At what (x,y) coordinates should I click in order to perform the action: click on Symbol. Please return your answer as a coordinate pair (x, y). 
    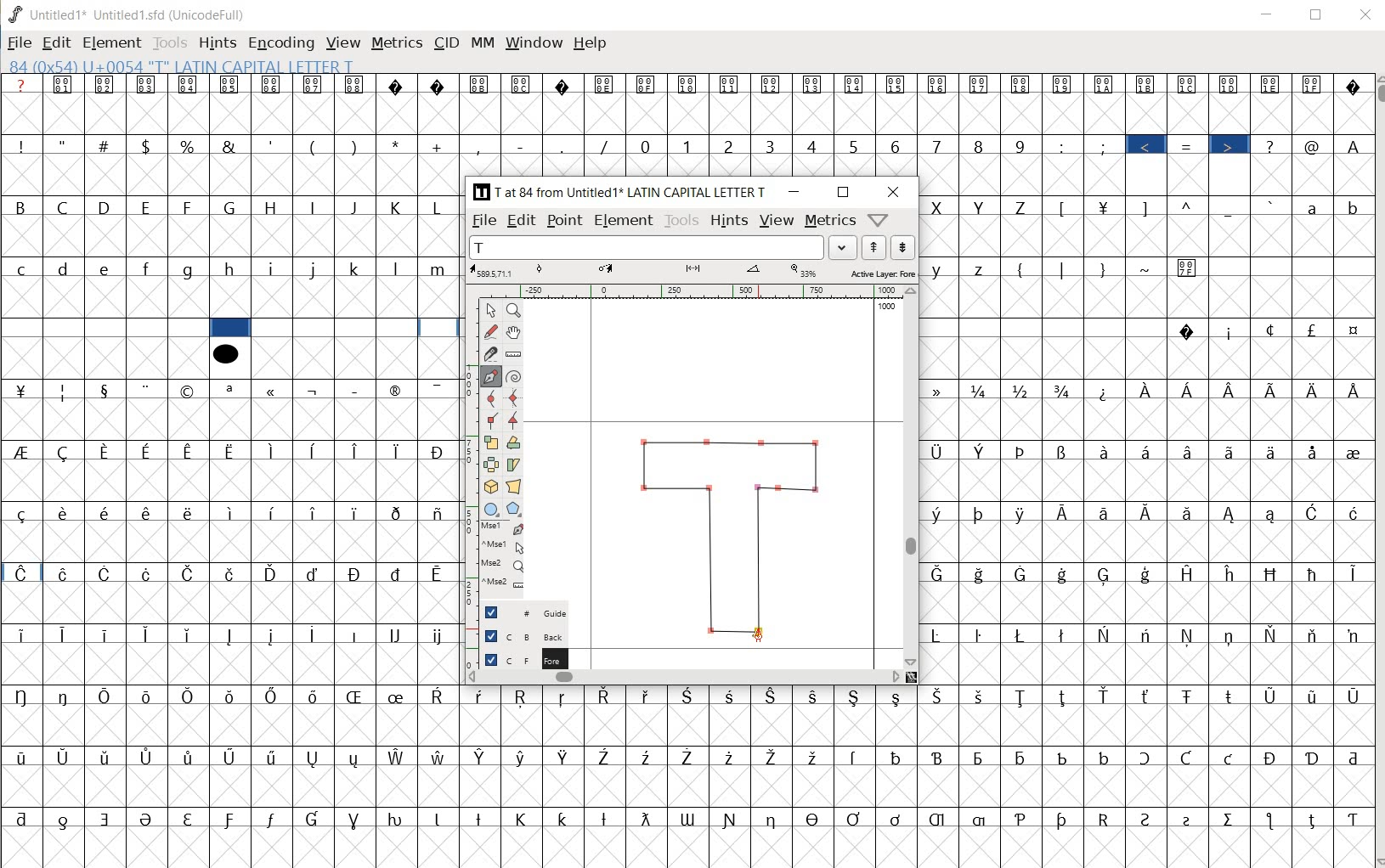
    Looking at the image, I should click on (148, 85).